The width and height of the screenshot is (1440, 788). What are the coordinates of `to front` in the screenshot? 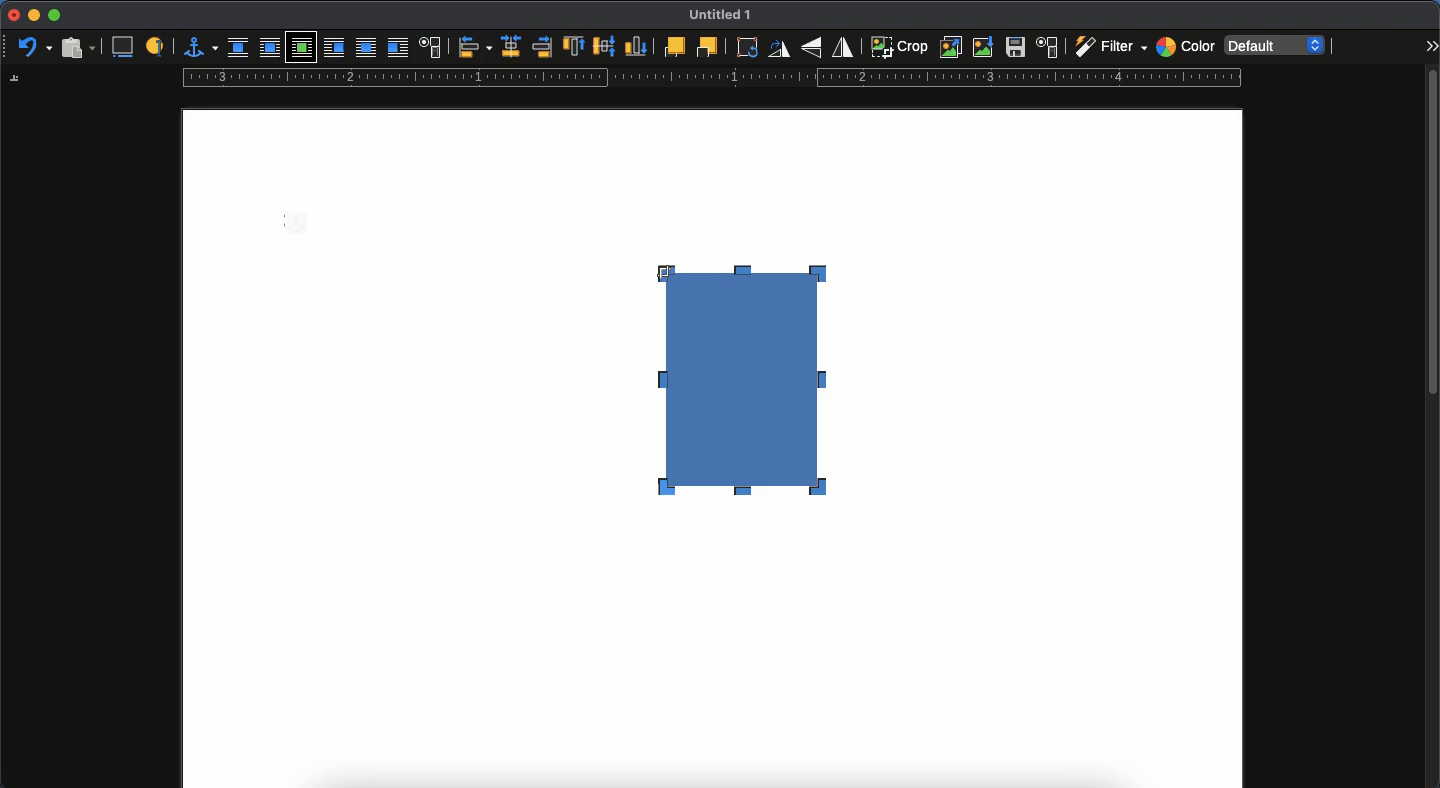 It's located at (673, 47).